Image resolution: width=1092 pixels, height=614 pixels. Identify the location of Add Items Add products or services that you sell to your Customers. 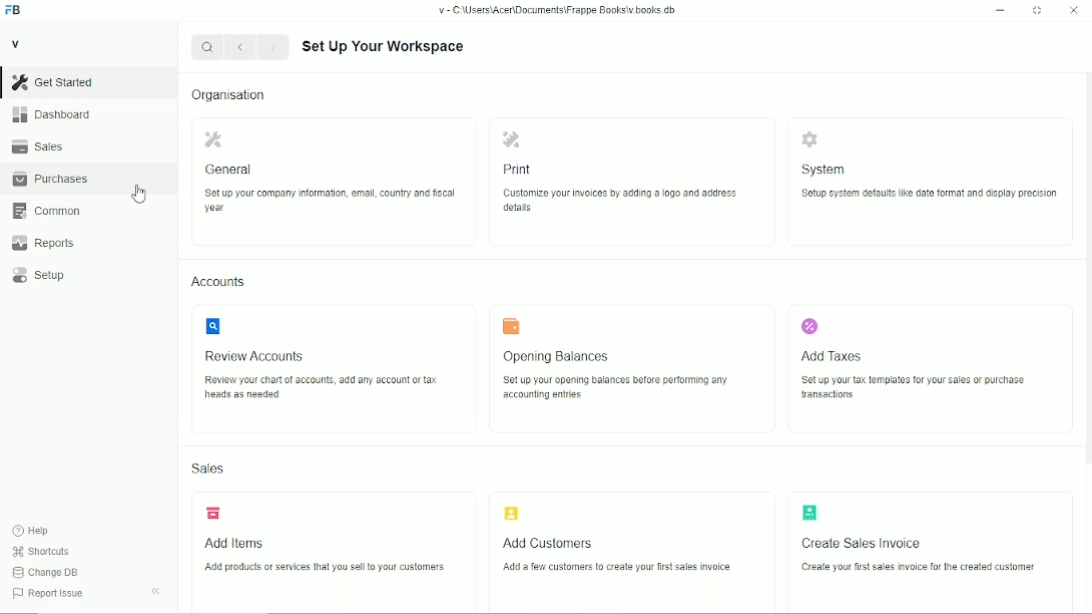
(337, 553).